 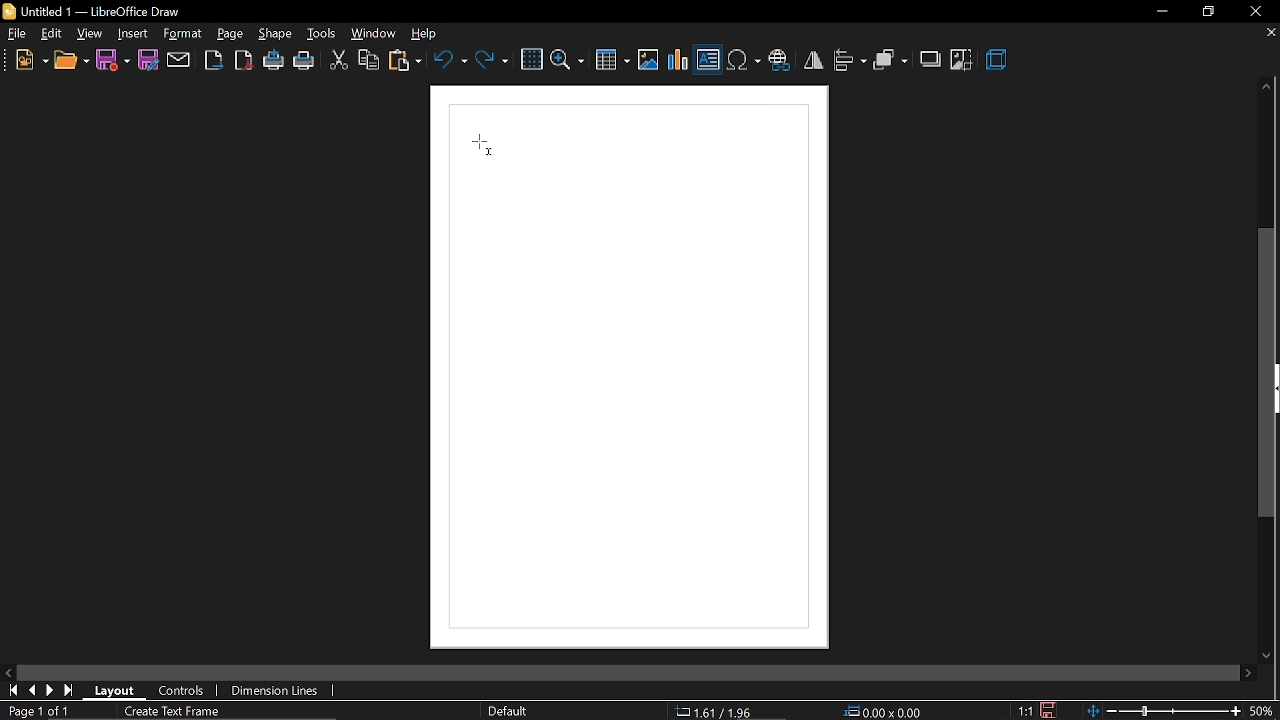 What do you see at coordinates (18, 36) in the screenshot?
I see `file` at bounding box center [18, 36].